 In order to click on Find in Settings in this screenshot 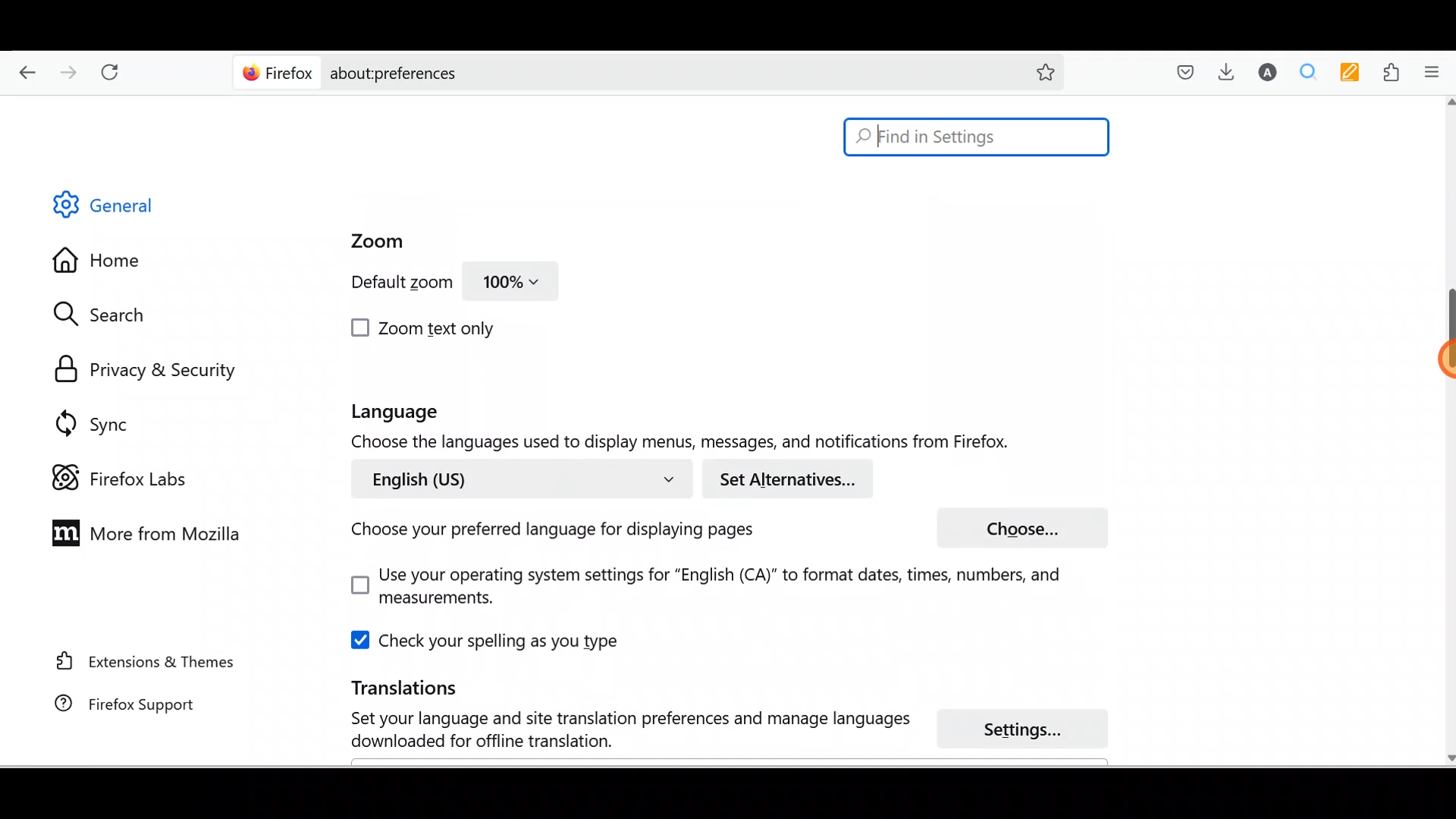, I will do `click(977, 136)`.